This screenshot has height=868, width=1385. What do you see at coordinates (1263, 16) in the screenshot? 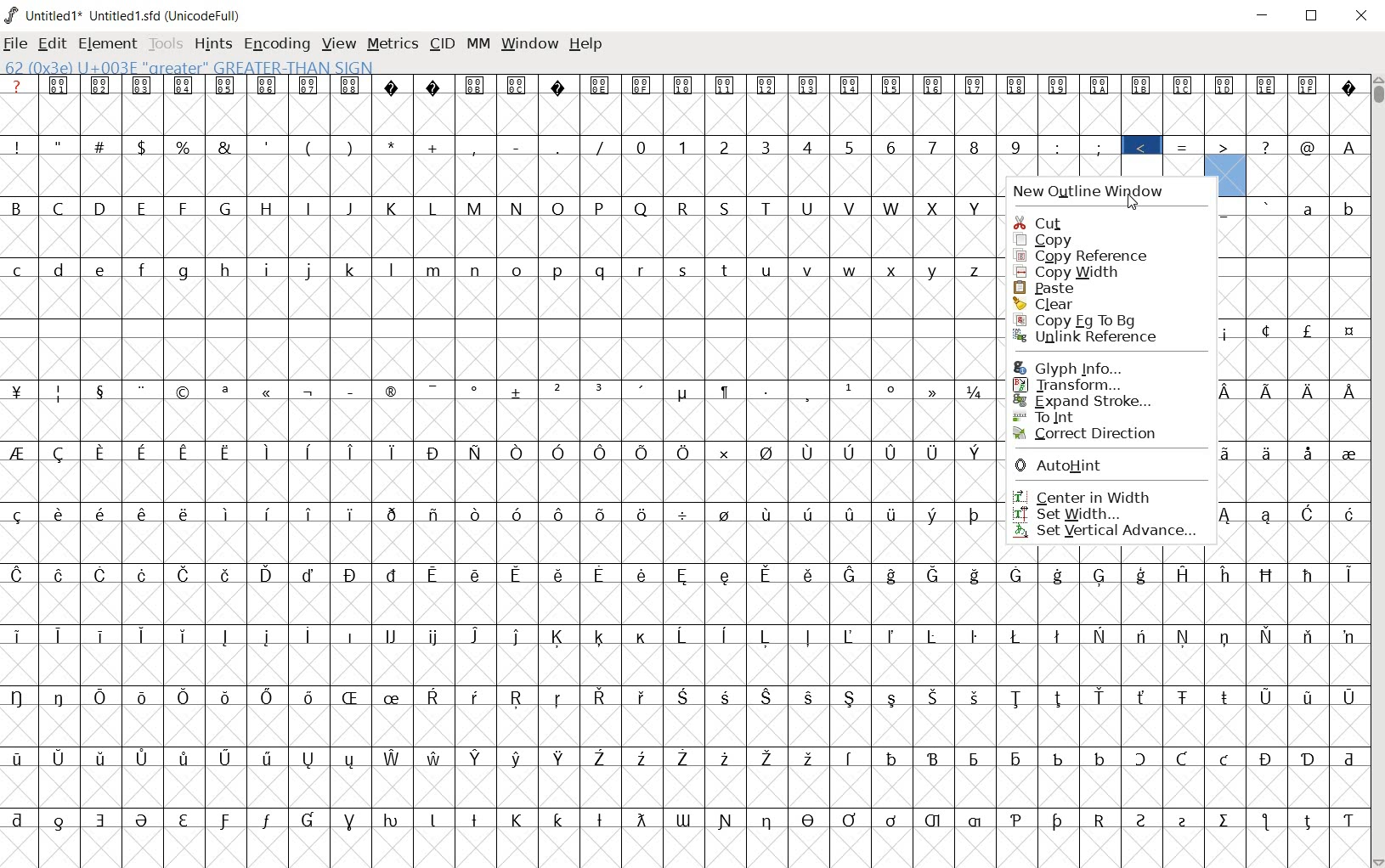
I see `minimize` at bounding box center [1263, 16].